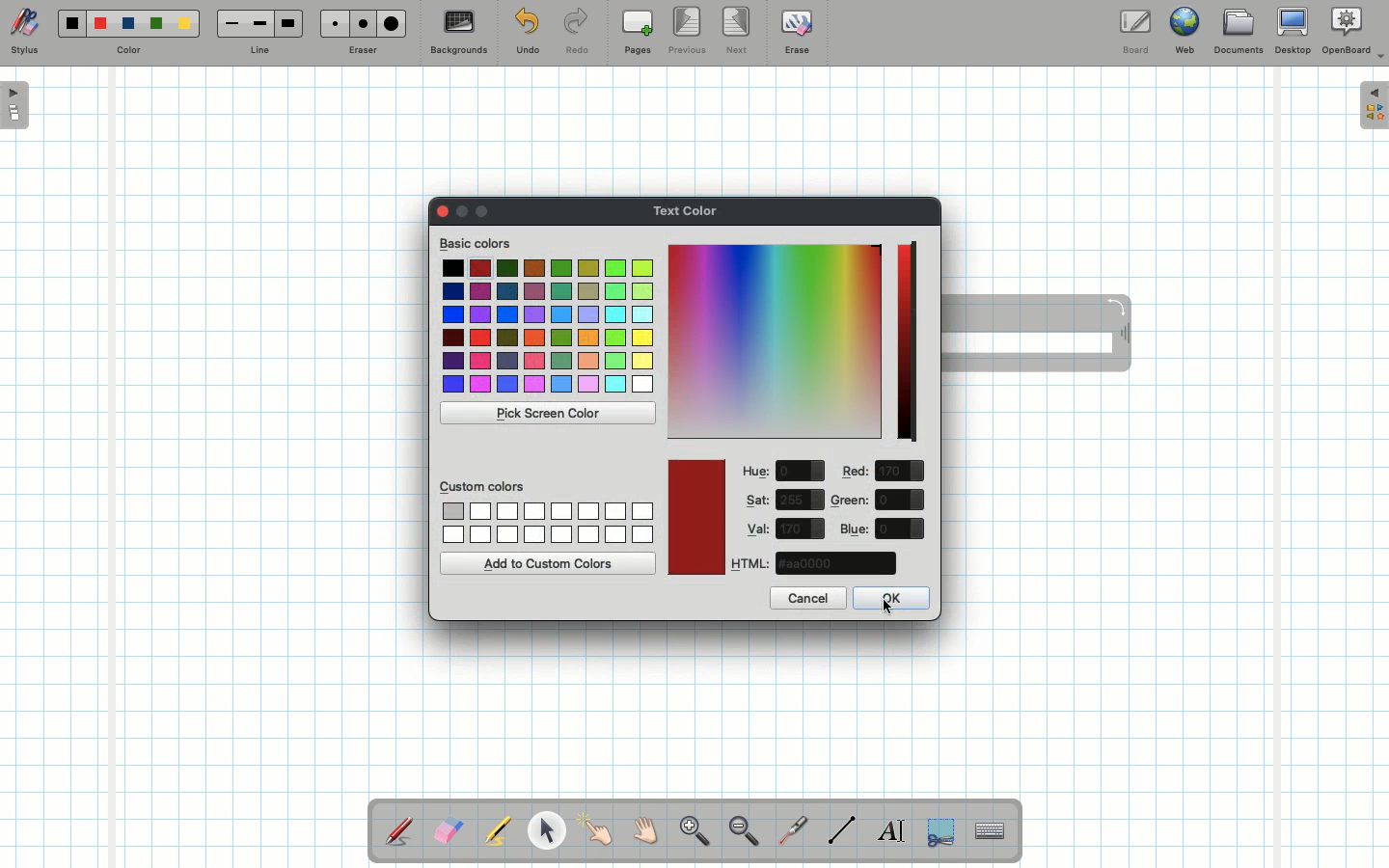 The width and height of the screenshot is (1389, 868). Describe the element at coordinates (695, 517) in the screenshot. I see `Color picked` at that location.